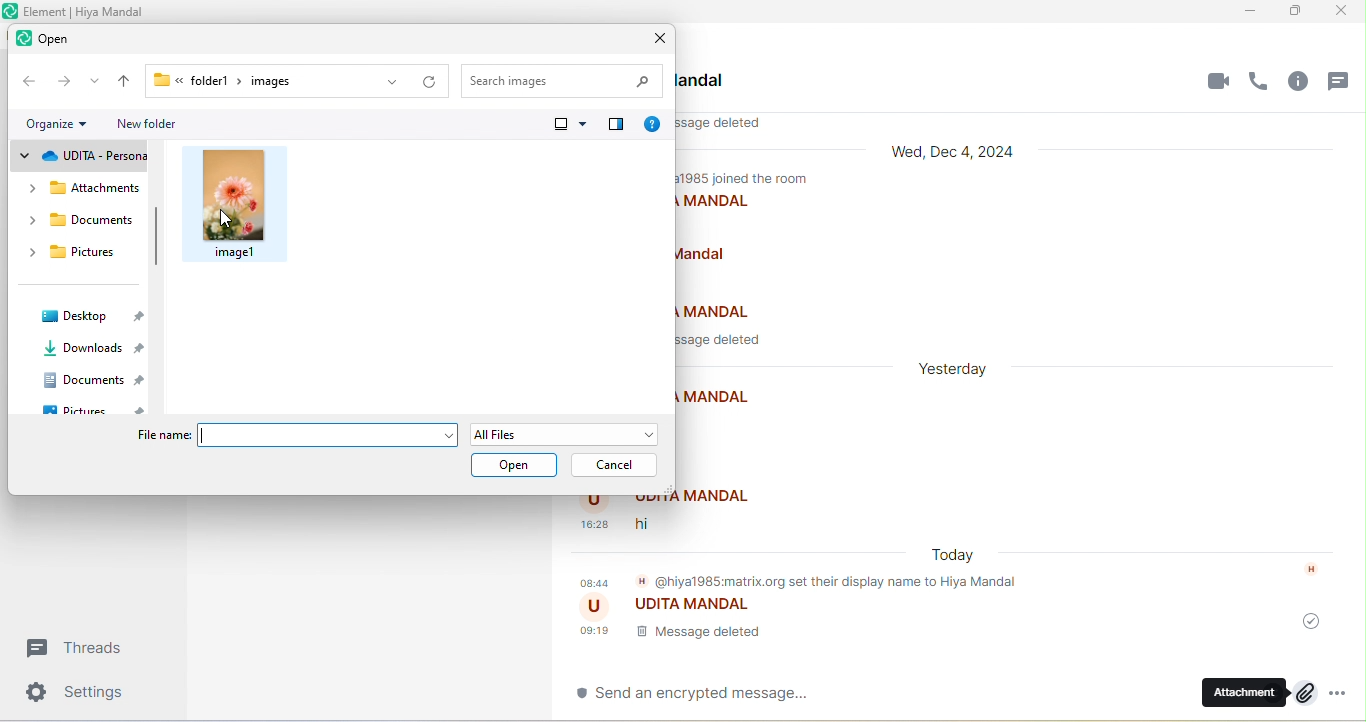 This screenshot has width=1366, height=722. What do you see at coordinates (429, 83) in the screenshot?
I see `refresh` at bounding box center [429, 83].